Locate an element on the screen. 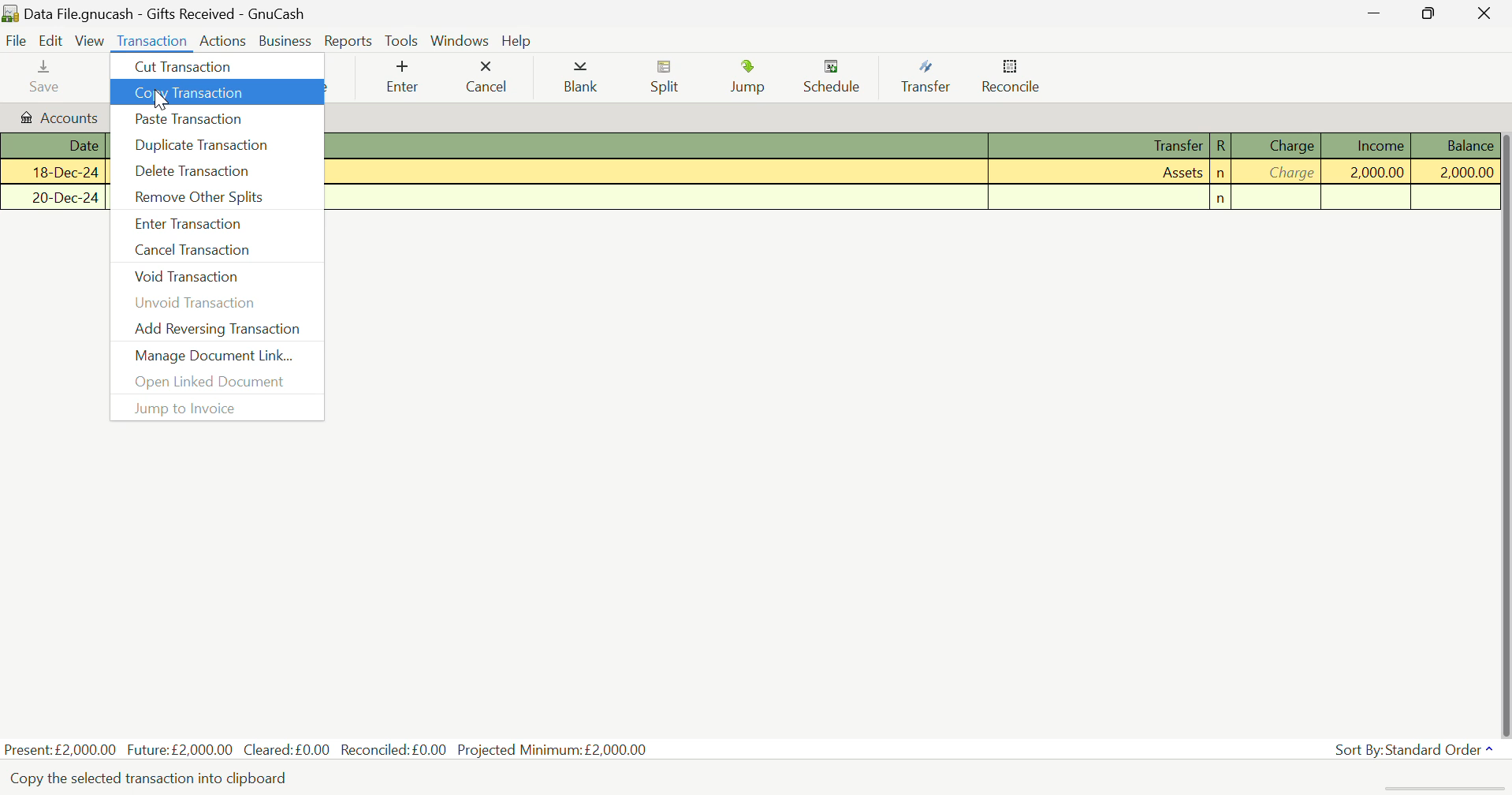  Schedule is located at coordinates (836, 77).